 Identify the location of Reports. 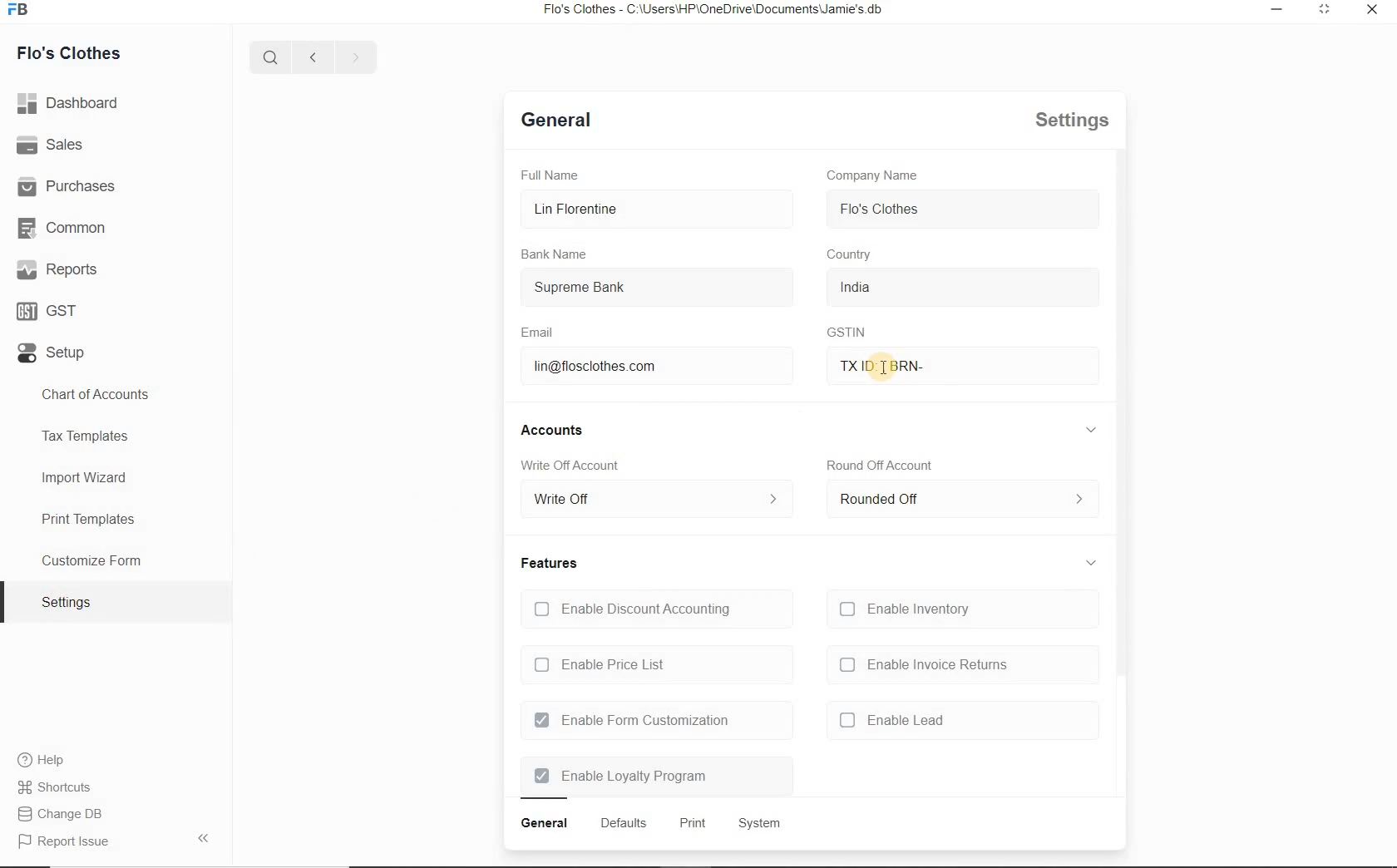
(62, 269).